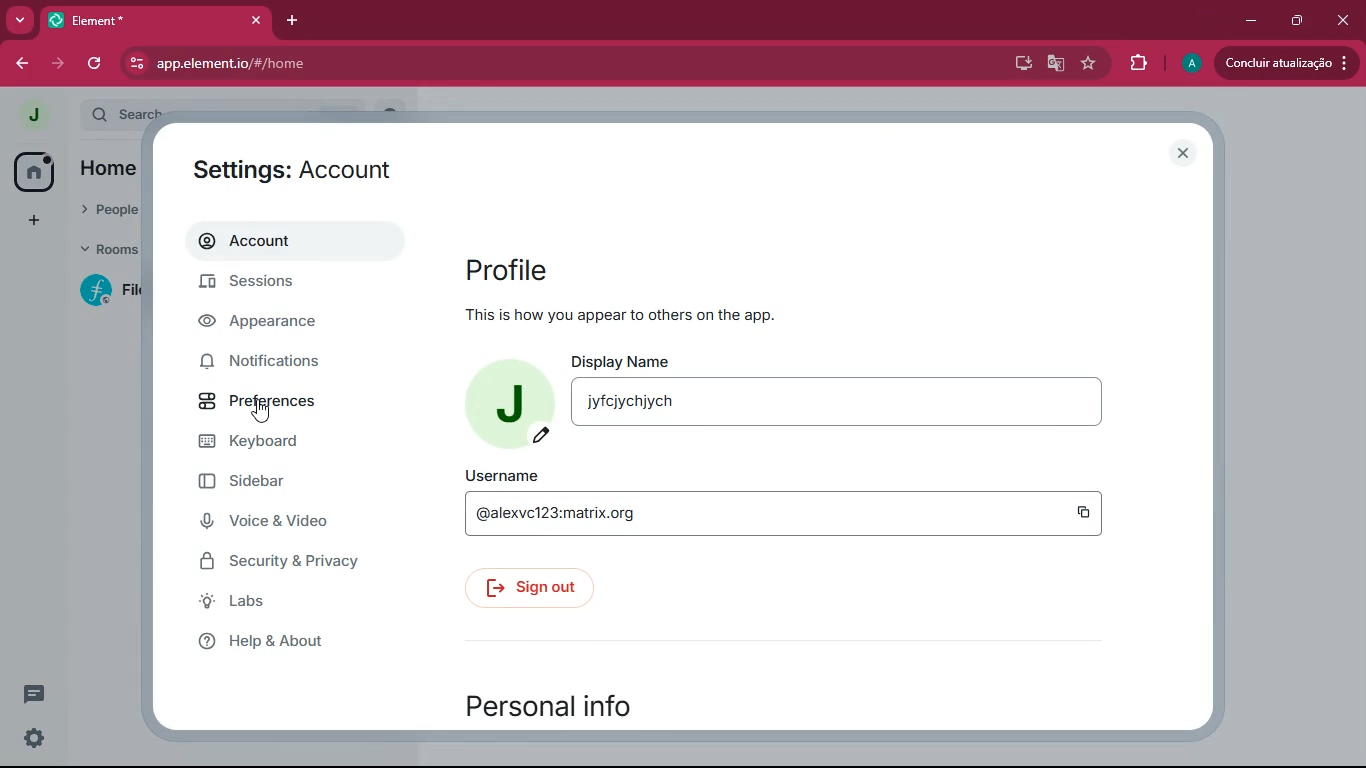 The image size is (1366, 768). Describe the element at coordinates (284, 484) in the screenshot. I see `sidebar ` at that location.